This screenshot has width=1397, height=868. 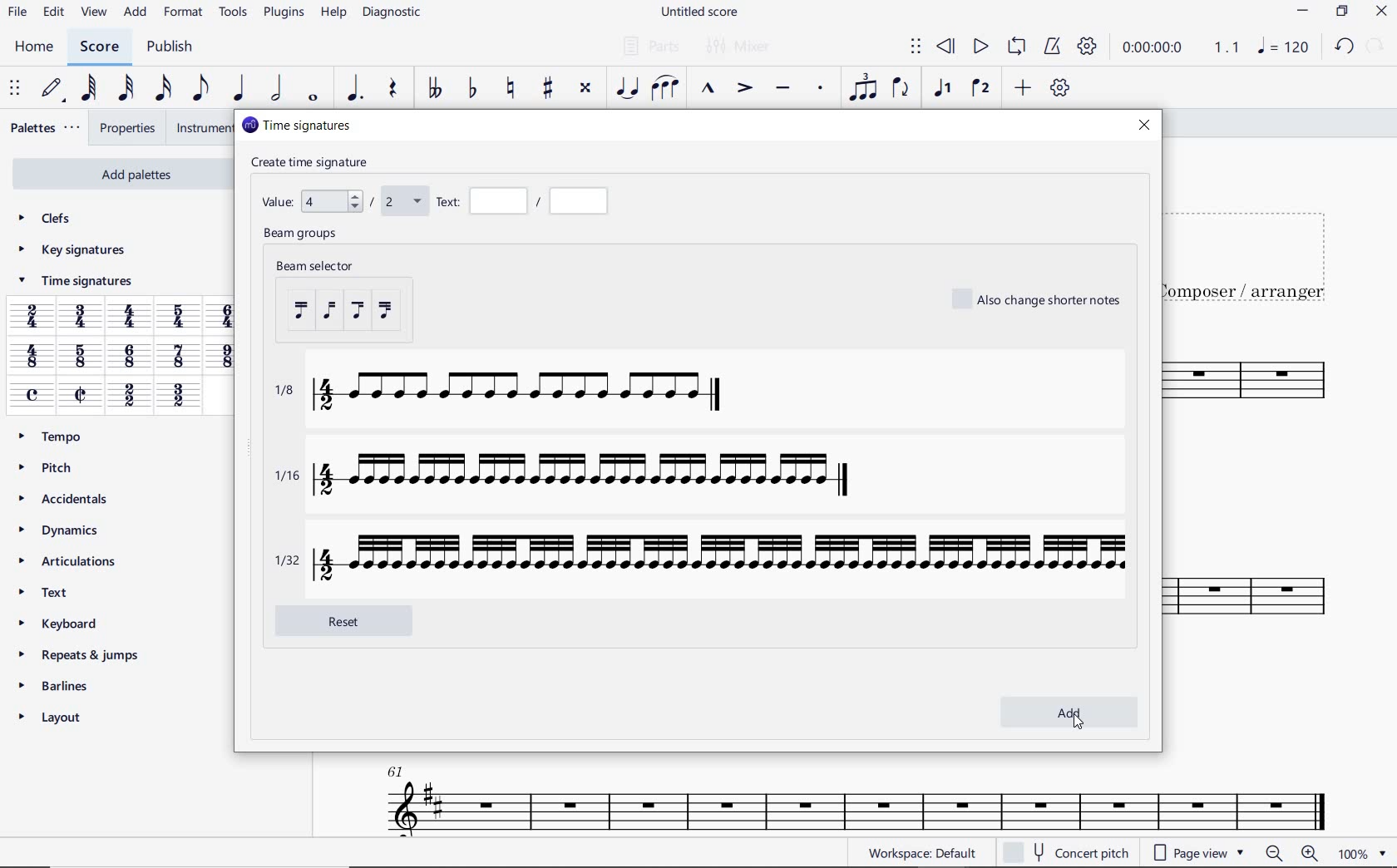 What do you see at coordinates (1376, 45) in the screenshot?
I see `REDO` at bounding box center [1376, 45].